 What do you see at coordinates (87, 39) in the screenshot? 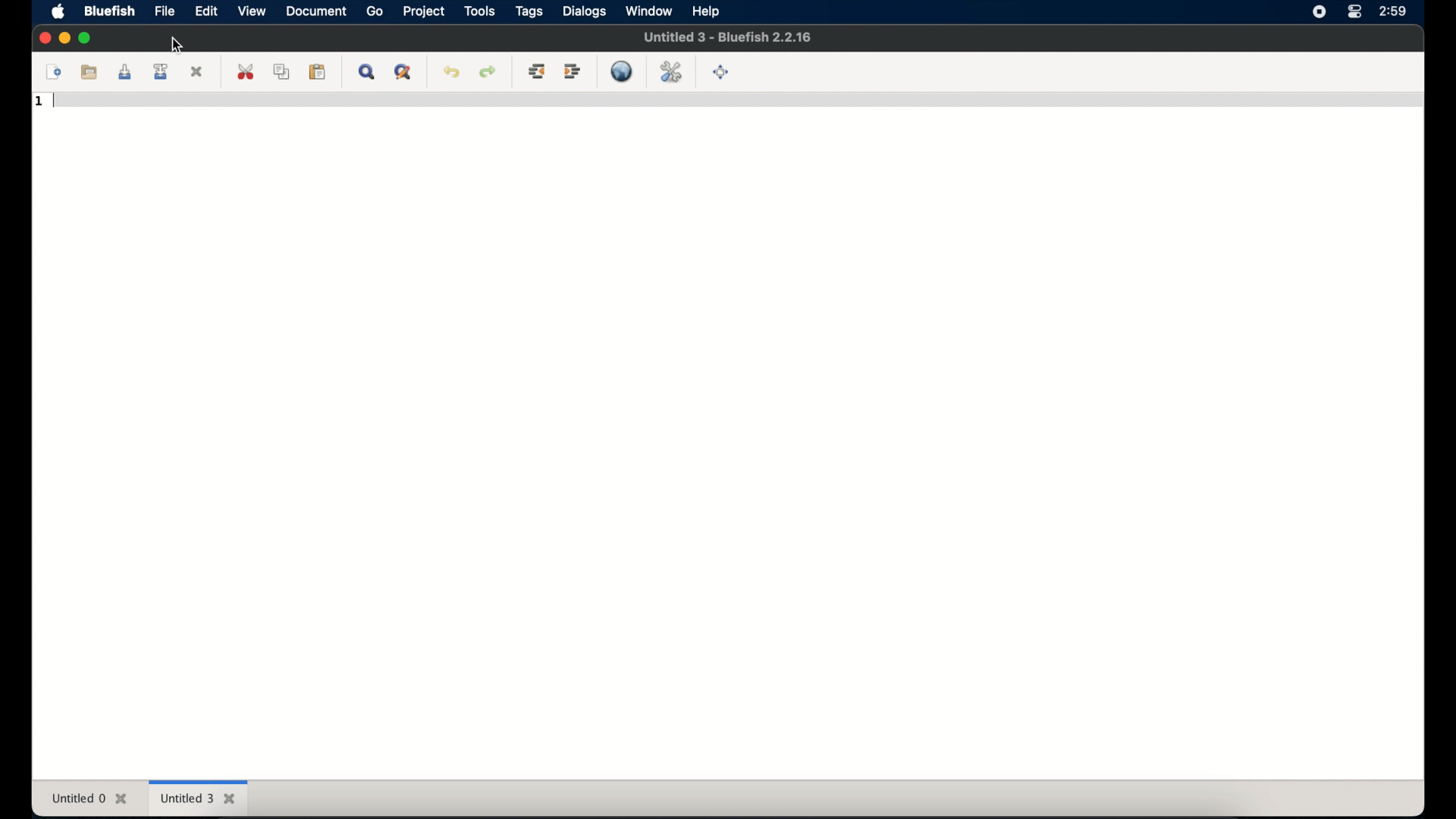
I see `maximize` at bounding box center [87, 39].